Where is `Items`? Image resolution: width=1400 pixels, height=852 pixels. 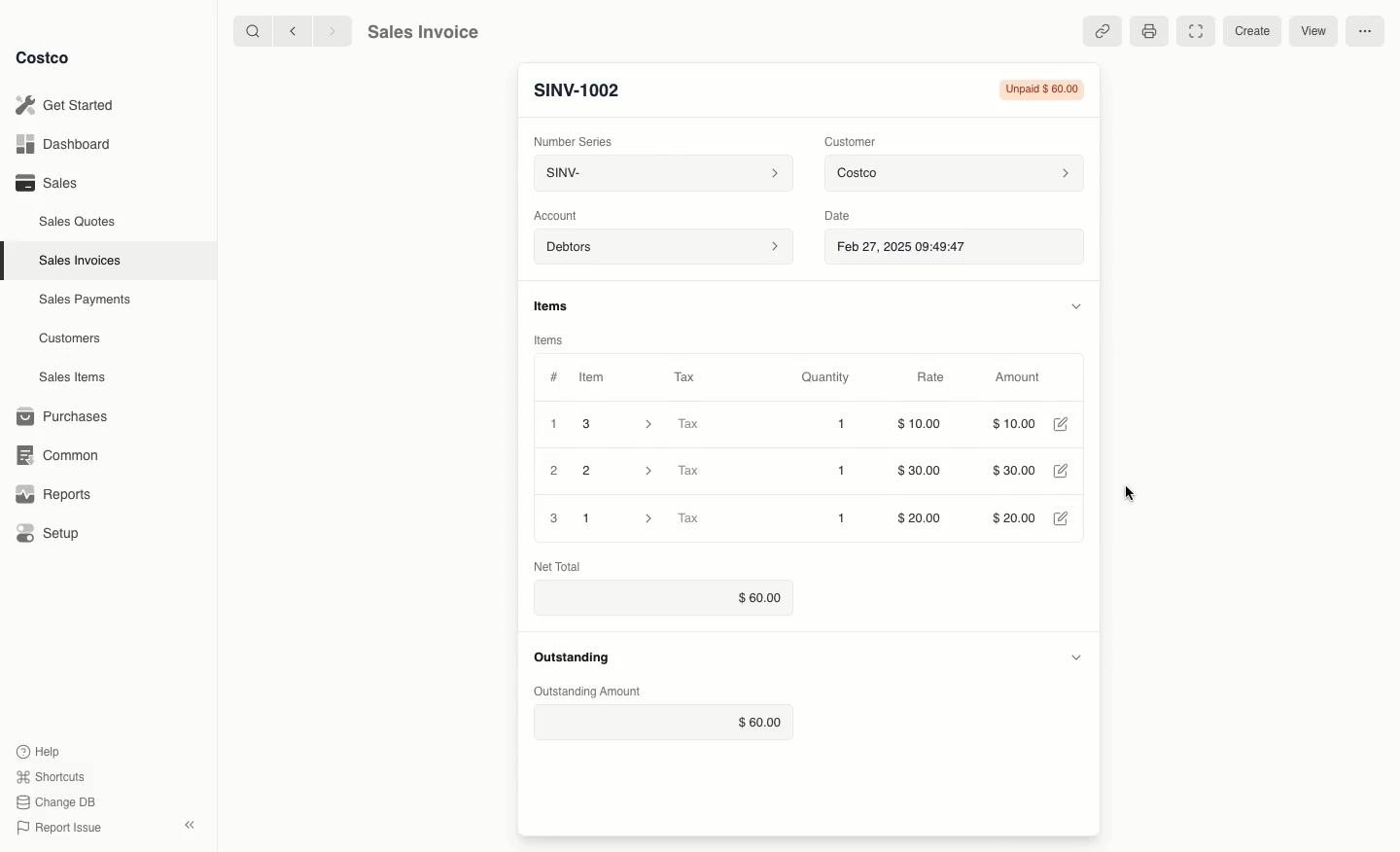
Items is located at coordinates (560, 307).